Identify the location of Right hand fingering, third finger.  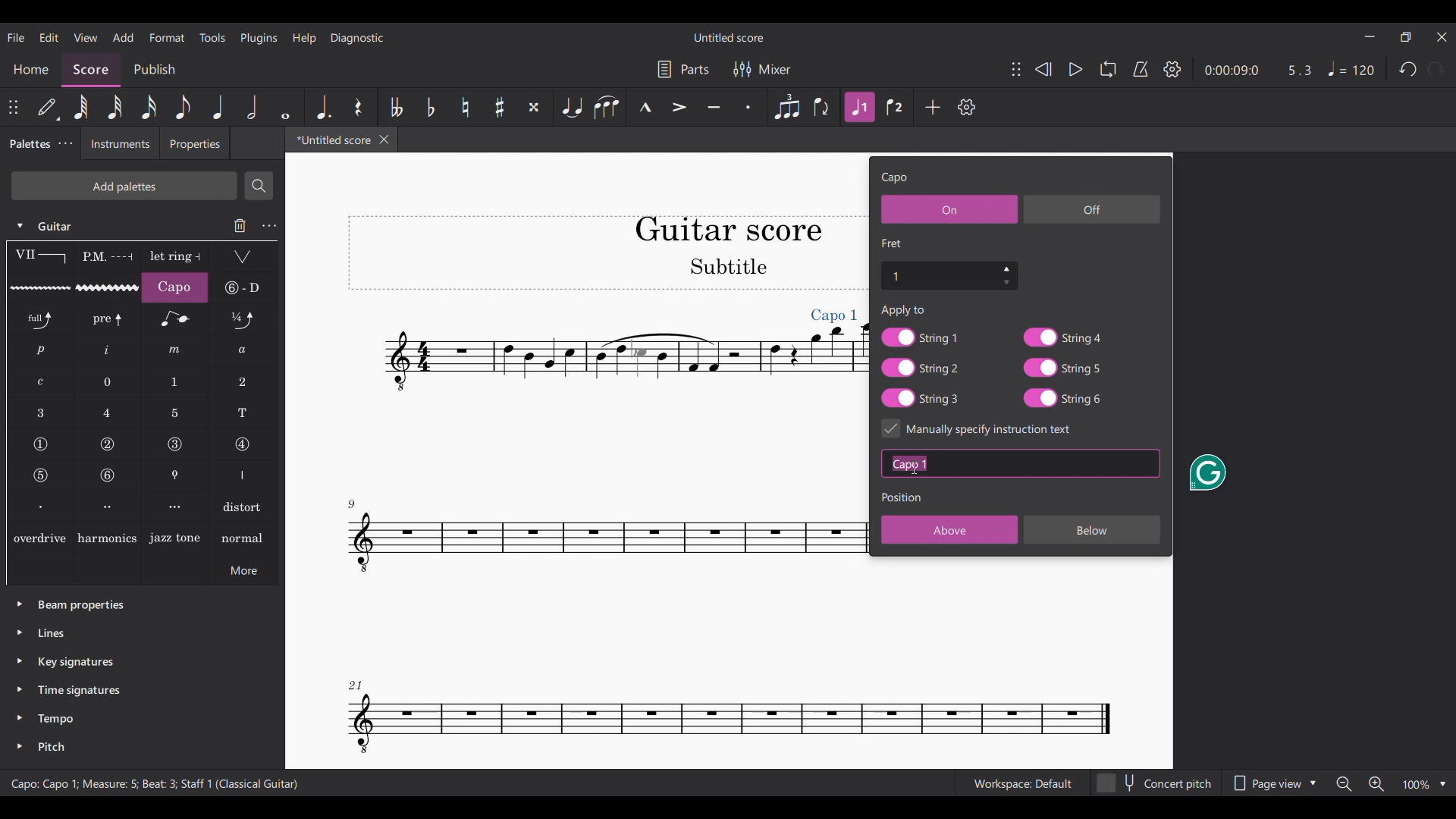
(176, 507).